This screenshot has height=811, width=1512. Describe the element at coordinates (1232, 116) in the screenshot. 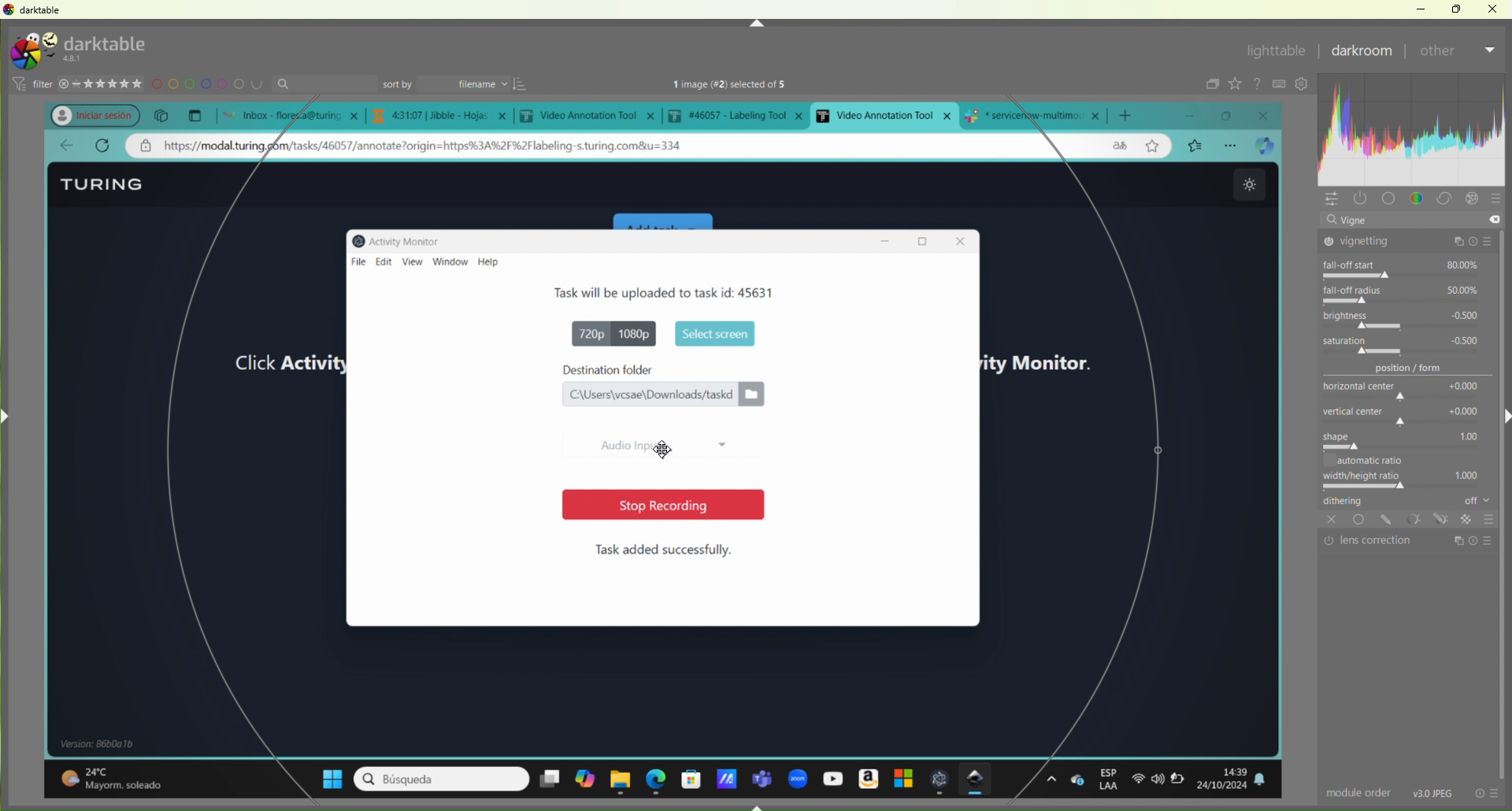

I see `maximize` at that location.